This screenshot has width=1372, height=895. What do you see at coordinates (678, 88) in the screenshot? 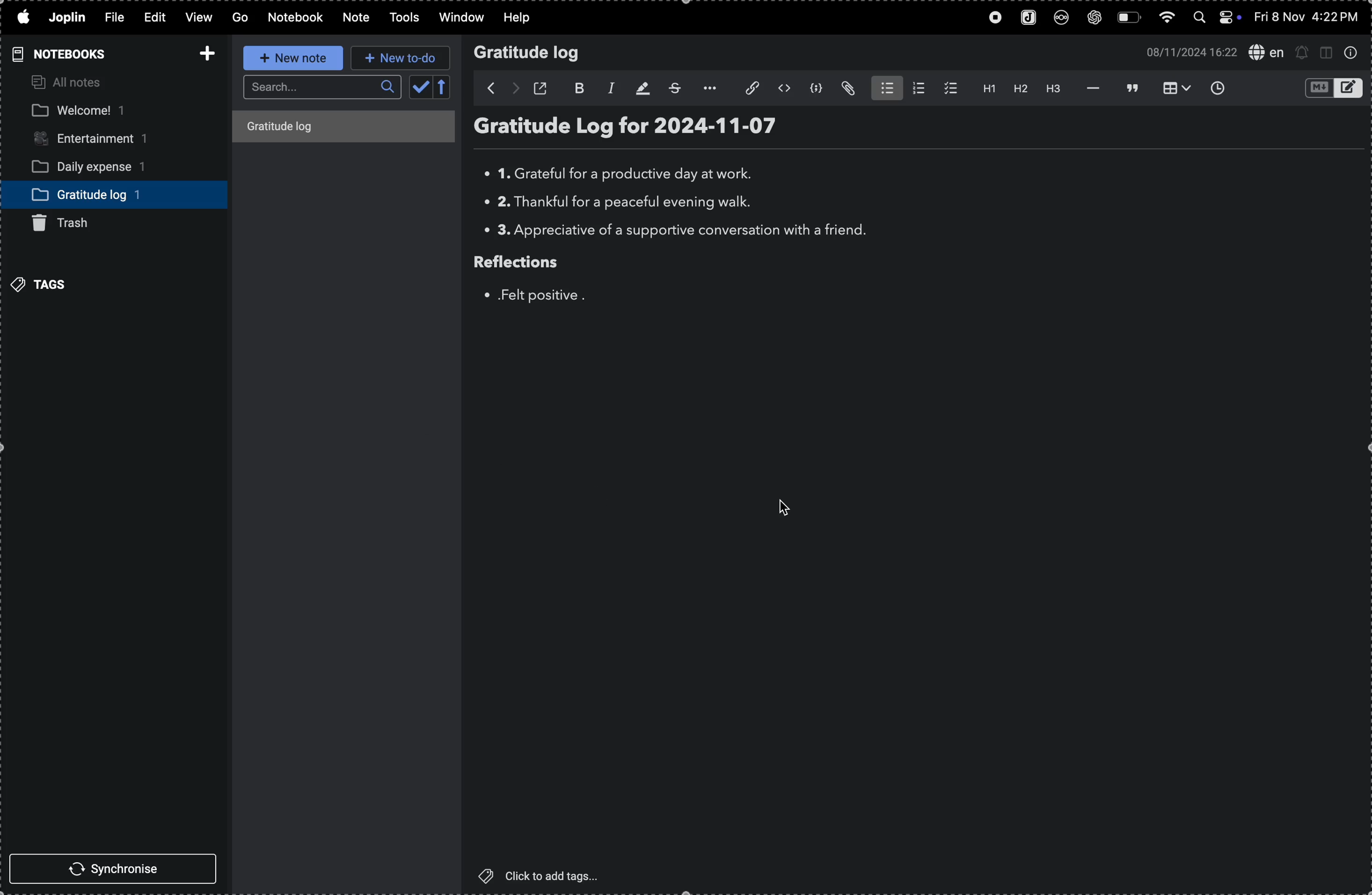
I see `strike  through` at bounding box center [678, 88].